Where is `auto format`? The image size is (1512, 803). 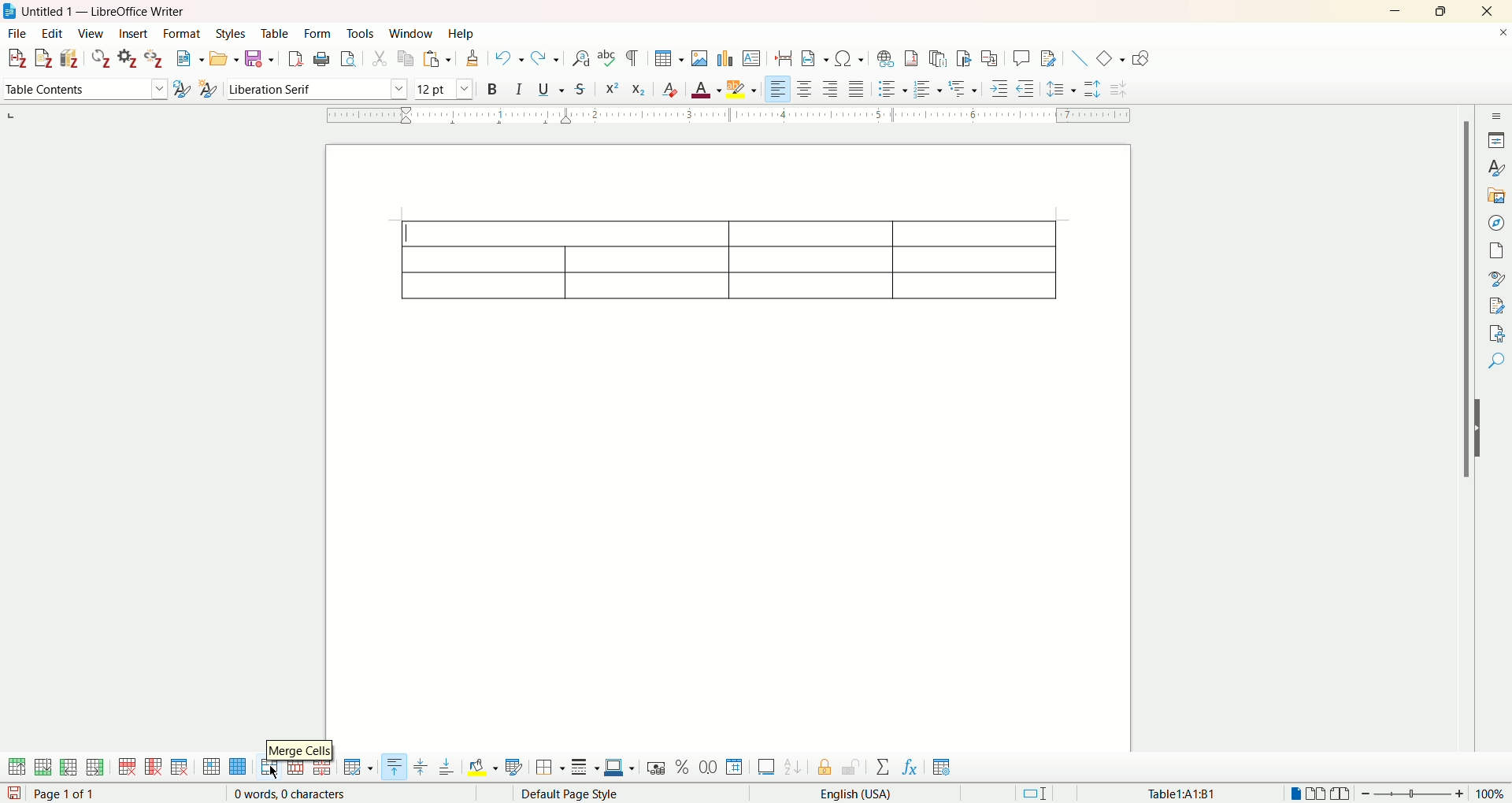
auto format is located at coordinates (514, 768).